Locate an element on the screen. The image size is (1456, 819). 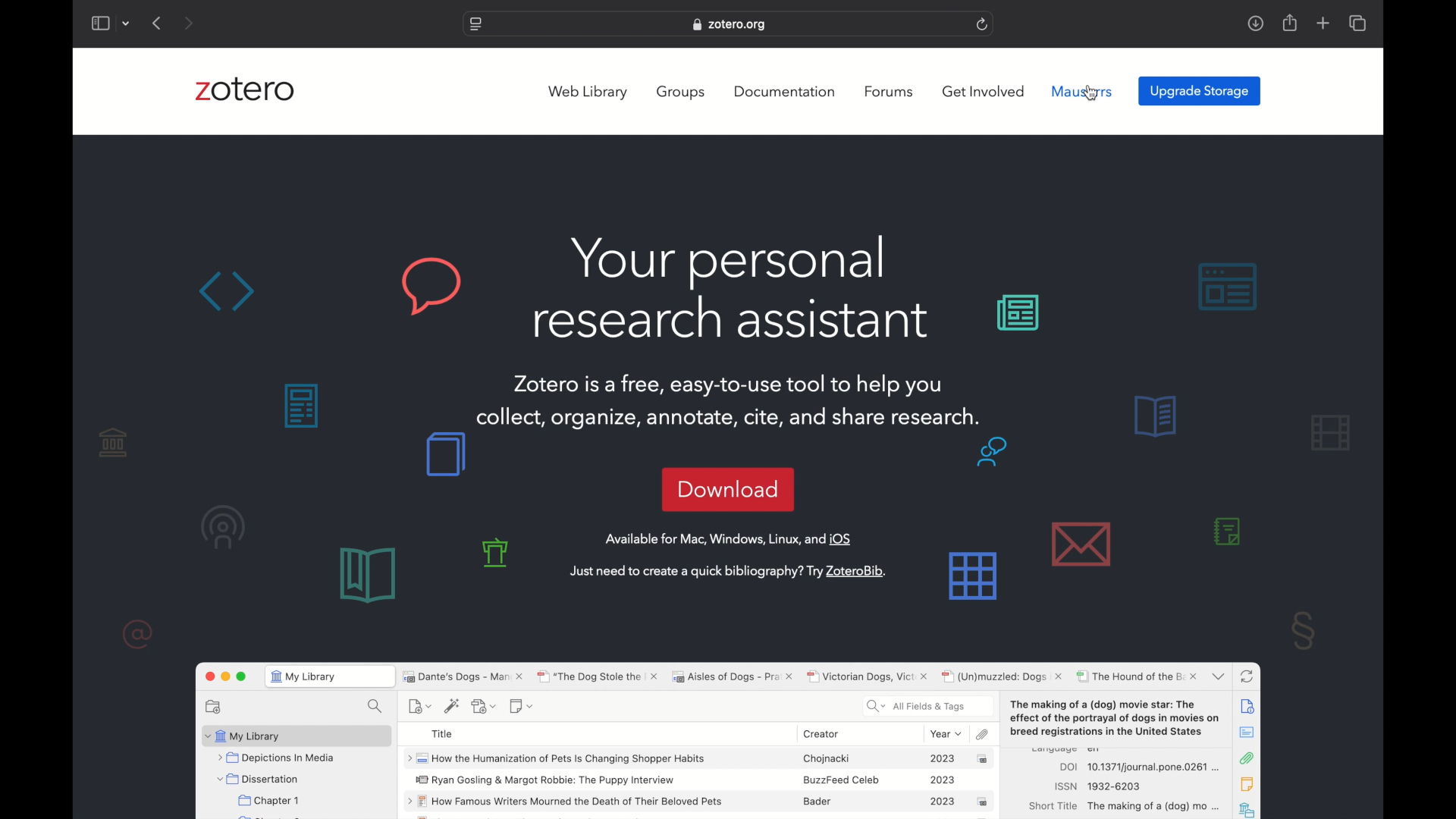
web library is located at coordinates (588, 93).